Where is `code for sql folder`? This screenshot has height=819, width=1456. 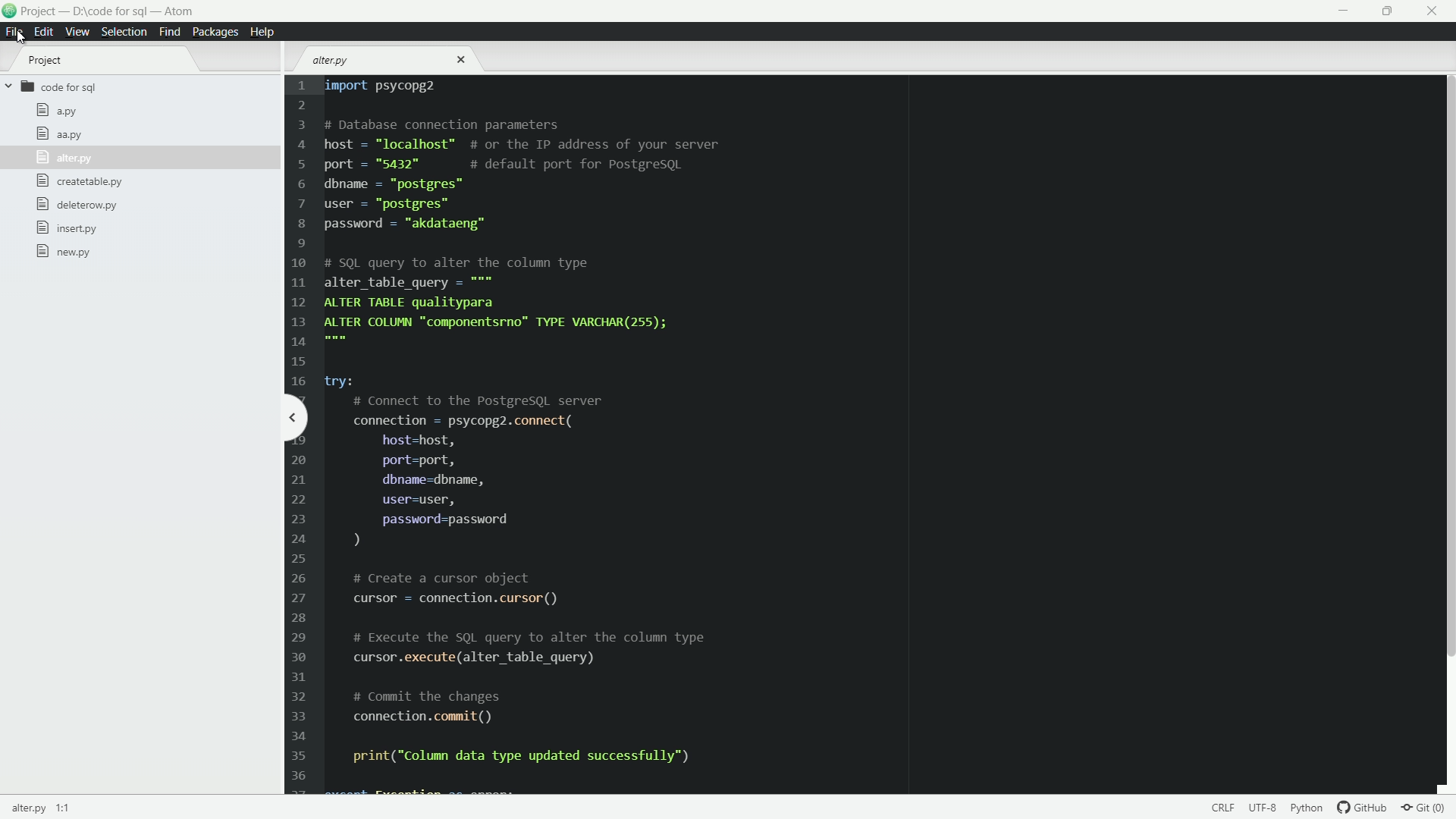 code for sql folder is located at coordinates (58, 88).